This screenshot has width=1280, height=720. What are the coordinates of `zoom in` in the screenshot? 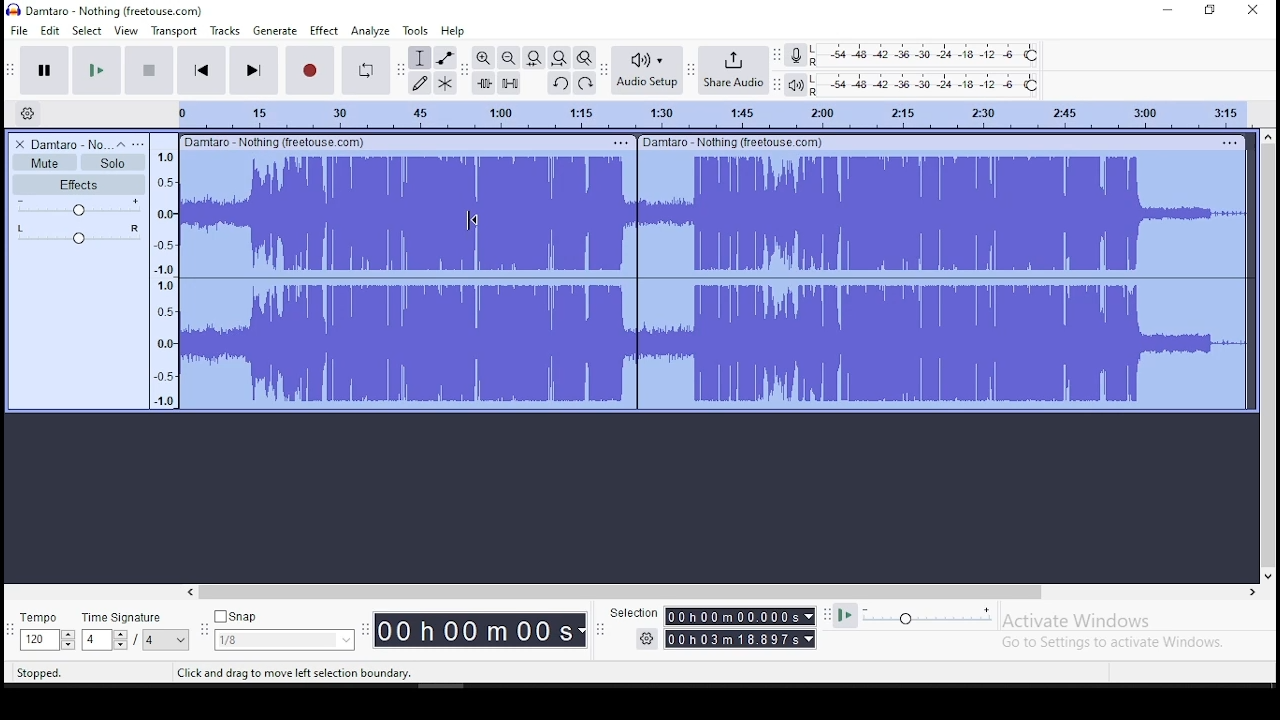 It's located at (483, 56).